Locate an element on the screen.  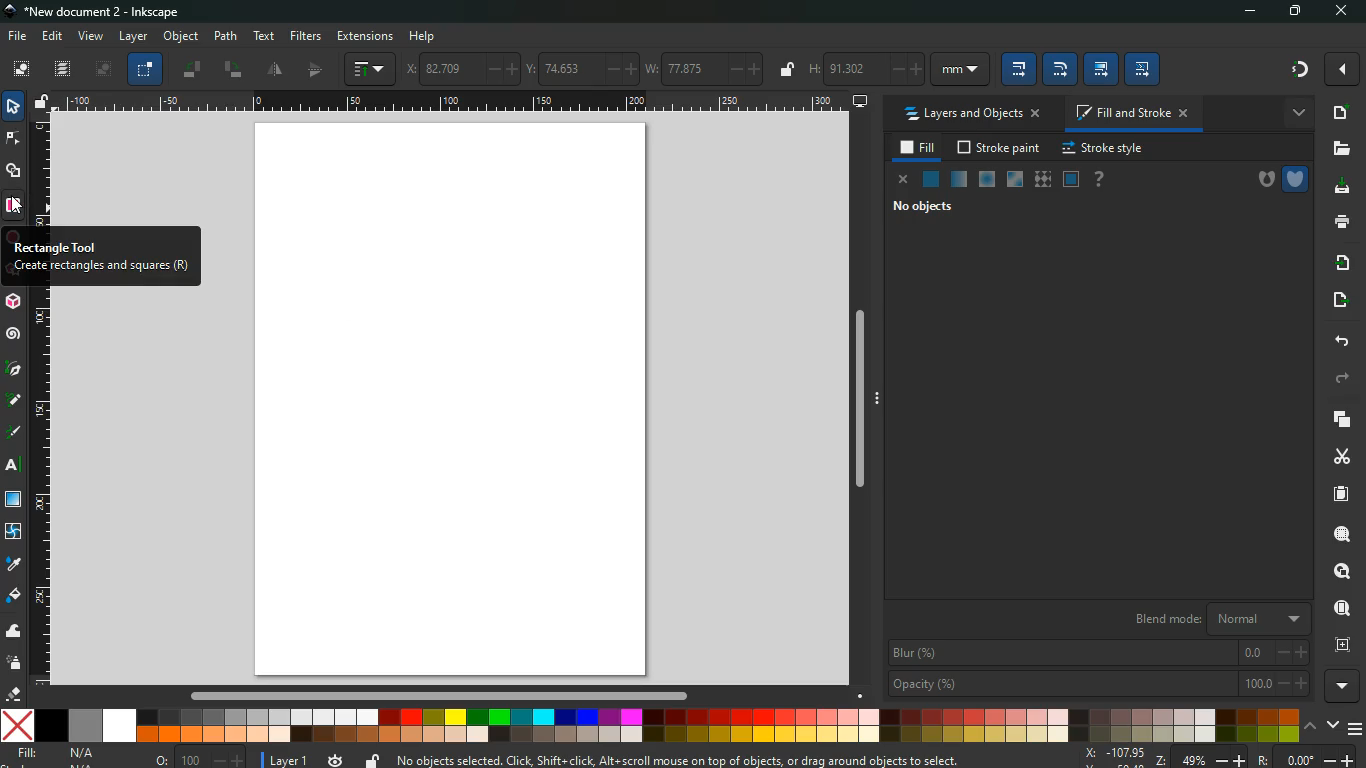
cut is located at coordinates (1340, 458).